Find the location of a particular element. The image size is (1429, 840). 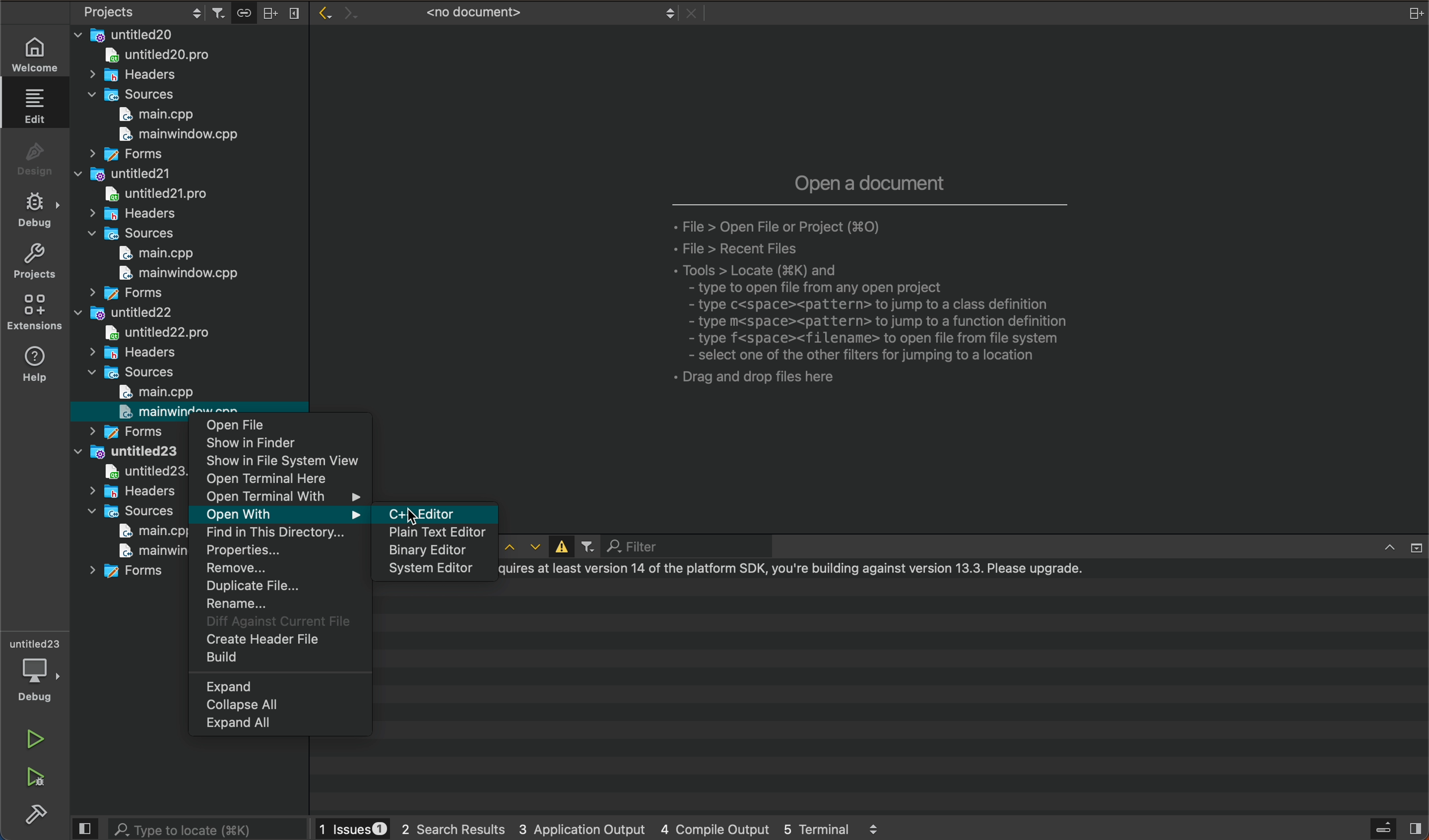

open with is located at coordinates (280, 514).